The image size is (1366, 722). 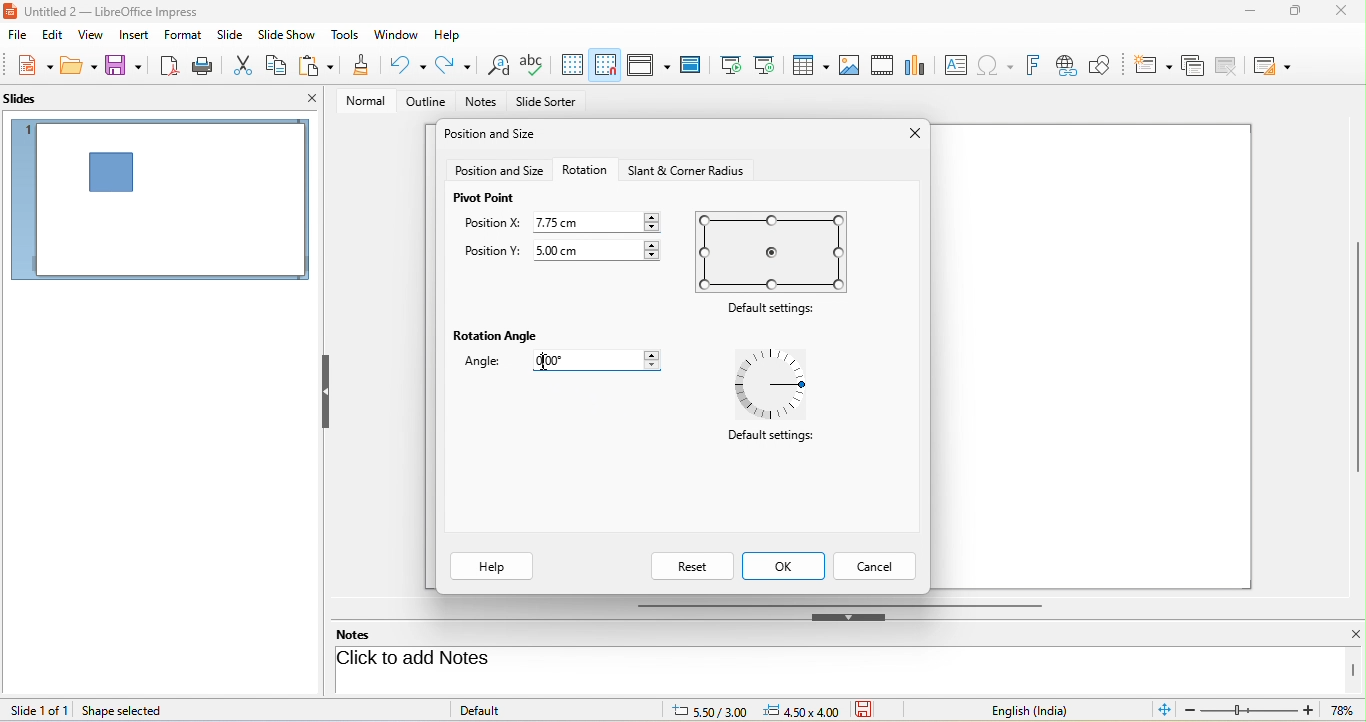 What do you see at coordinates (123, 10) in the screenshot?
I see `untitled 2-libre office impress` at bounding box center [123, 10].